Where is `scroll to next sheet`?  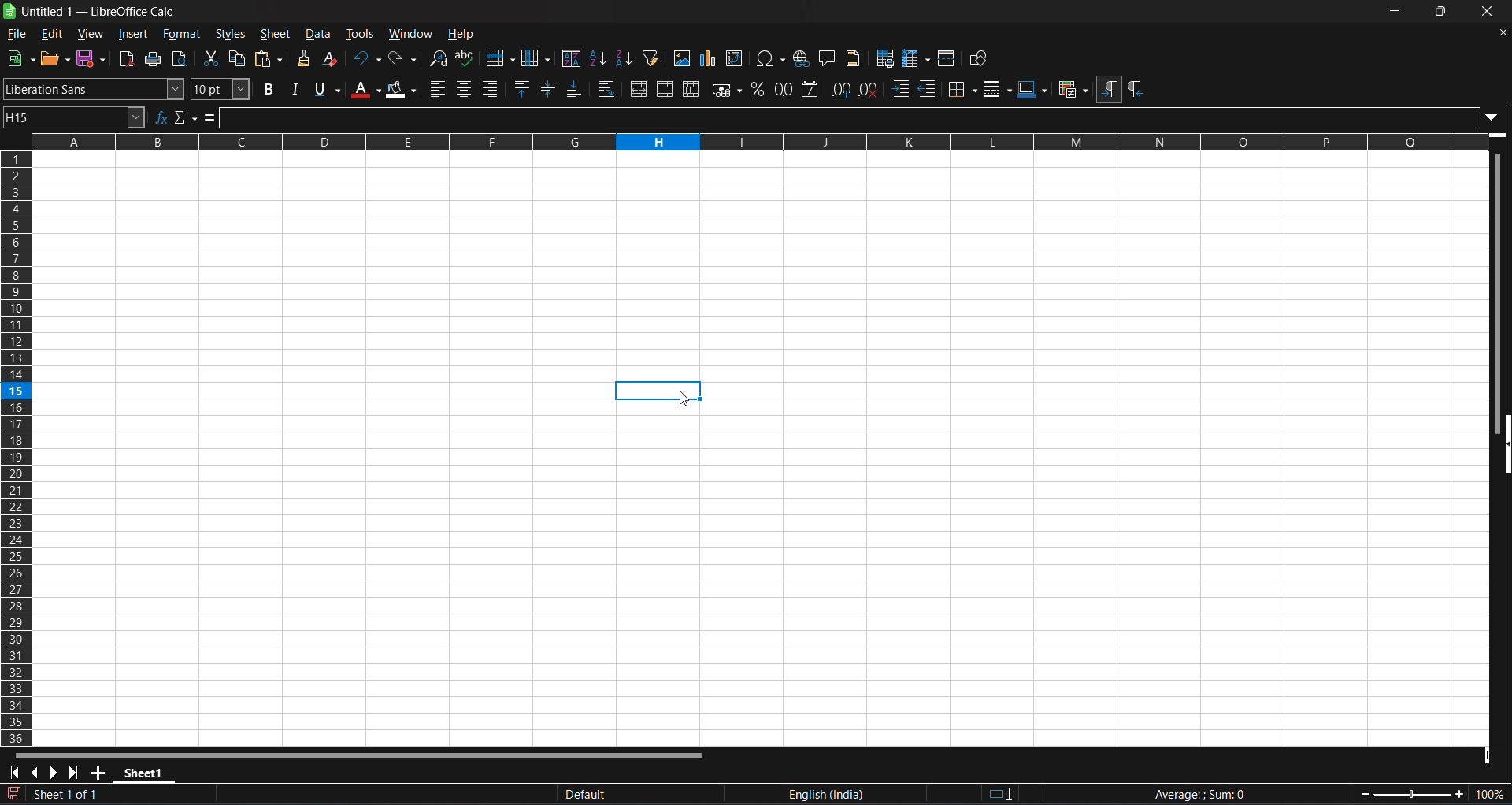
scroll to next sheet is located at coordinates (57, 772).